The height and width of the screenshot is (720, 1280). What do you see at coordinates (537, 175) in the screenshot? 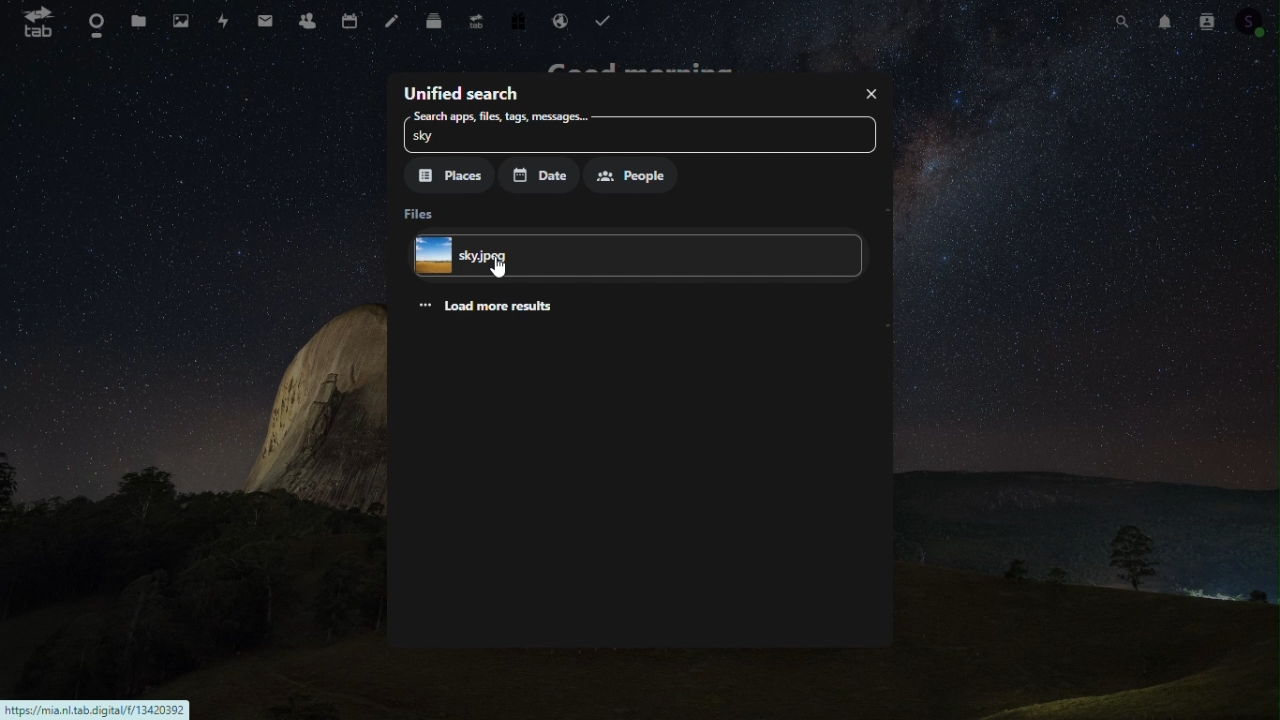
I see `Date` at bounding box center [537, 175].